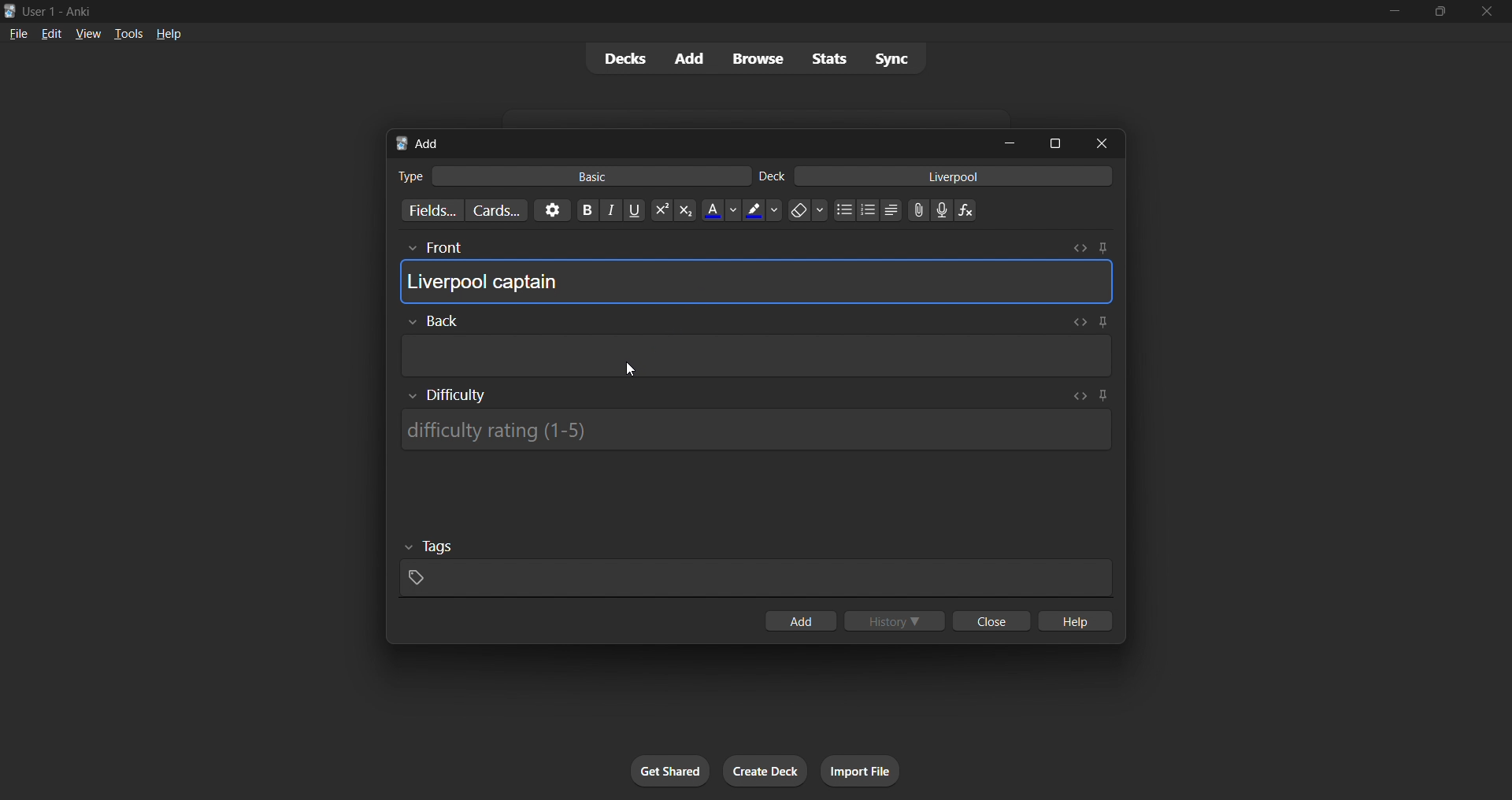  What do you see at coordinates (60, 13) in the screenshot?
I see `Text` at bounding box center [60, 13].